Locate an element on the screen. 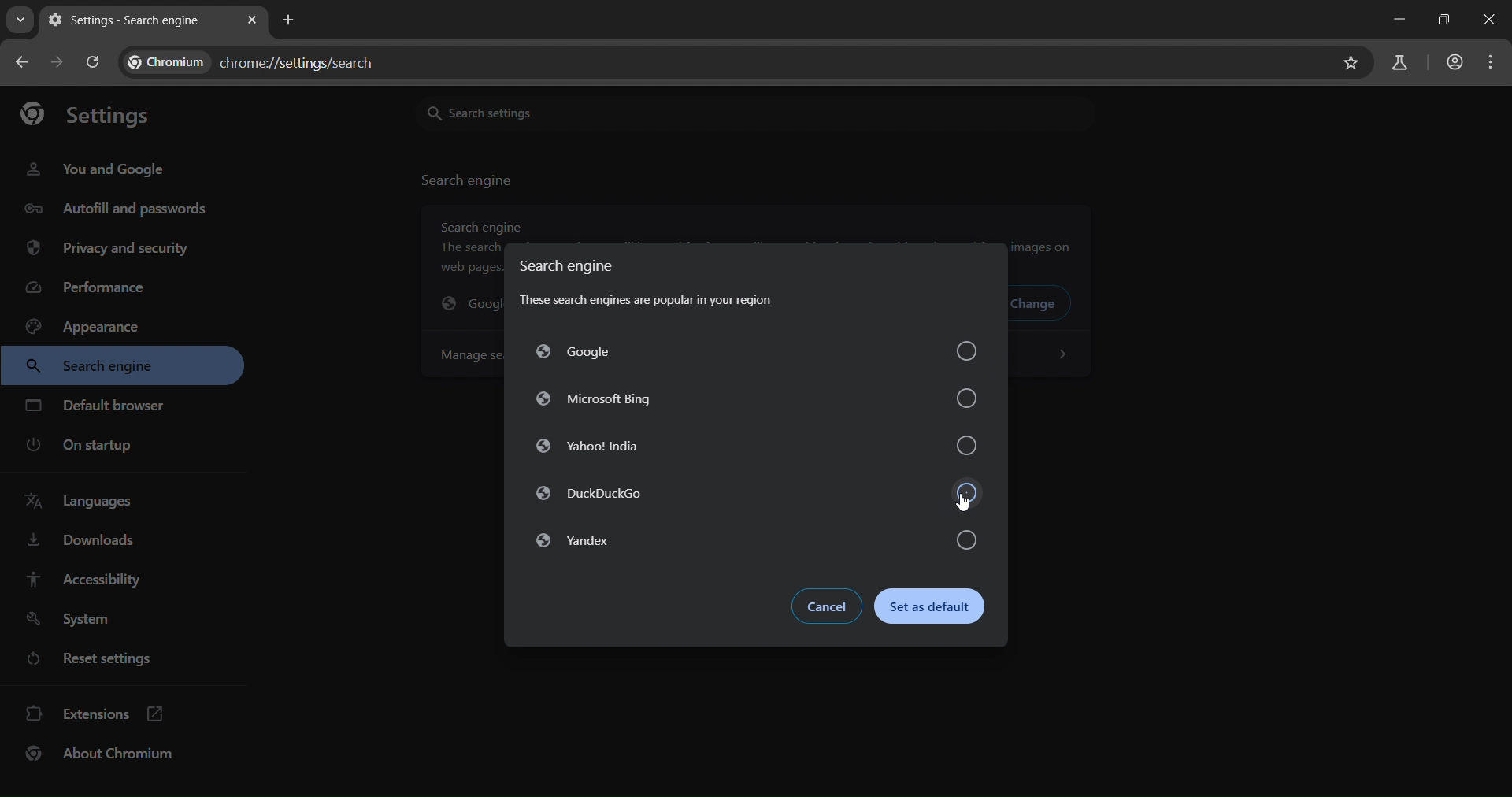 Image resolution: width=1512 pixels, height=797 pixels. go back 1 page is located at coordinates (25, 64).